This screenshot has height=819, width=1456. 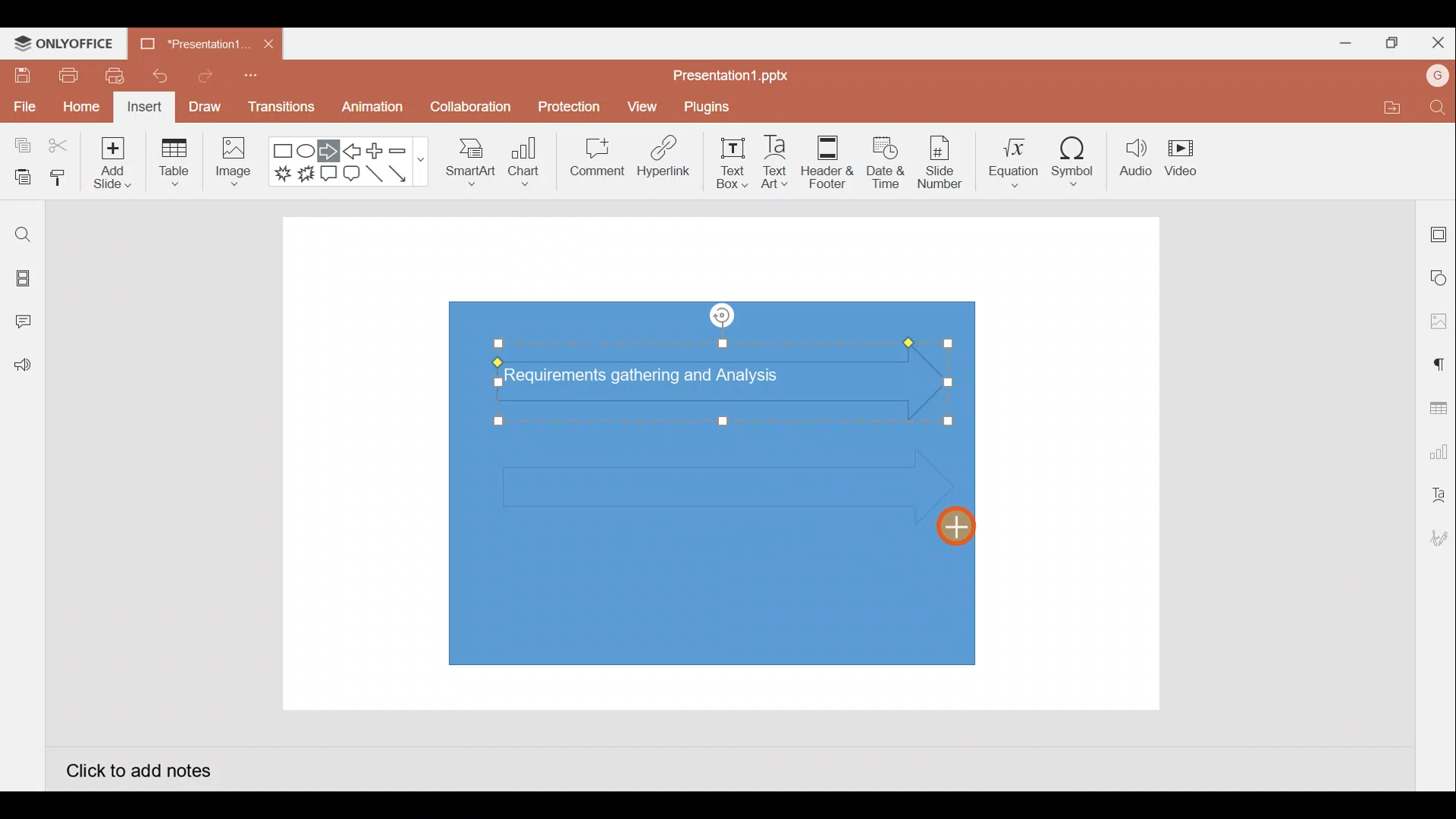 What do you see at coordinates (308, 151) in the screenshot?
I see `Ellipse` at bounding box center [308, 151].